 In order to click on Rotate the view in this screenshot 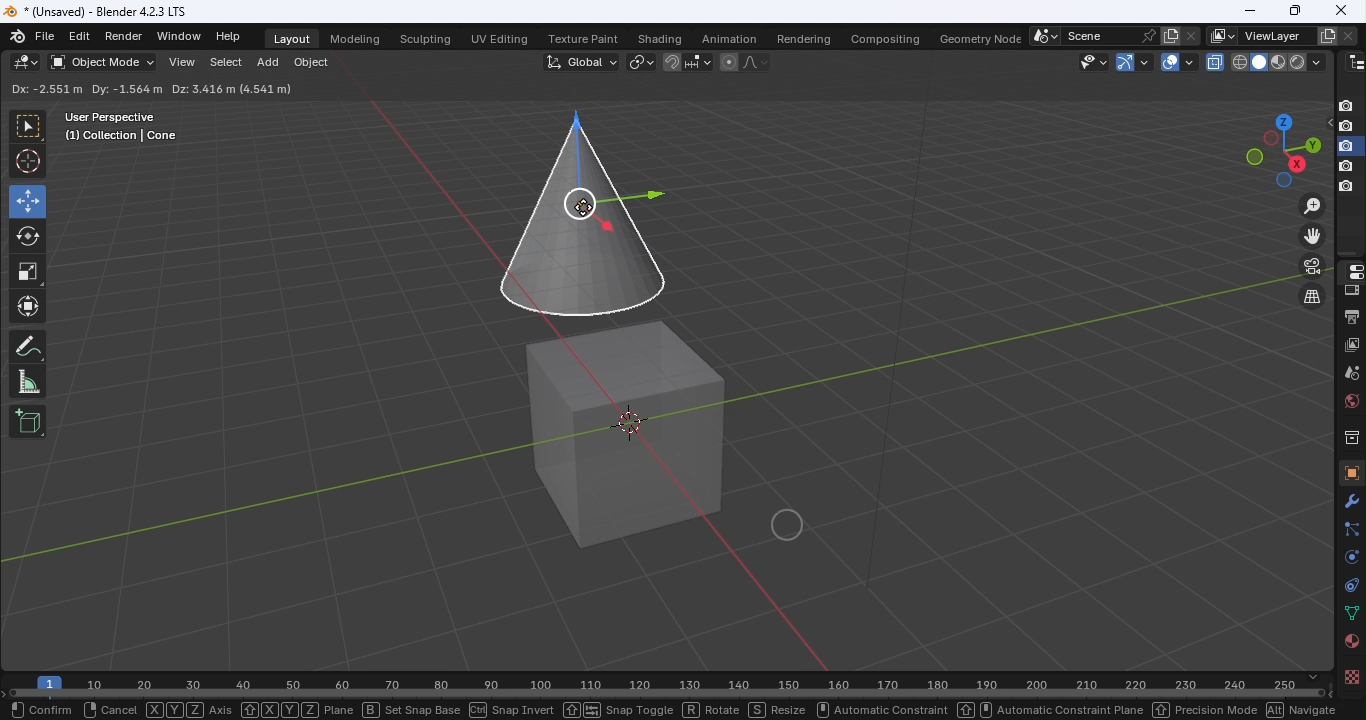, I will do `click(1283, 182)`.